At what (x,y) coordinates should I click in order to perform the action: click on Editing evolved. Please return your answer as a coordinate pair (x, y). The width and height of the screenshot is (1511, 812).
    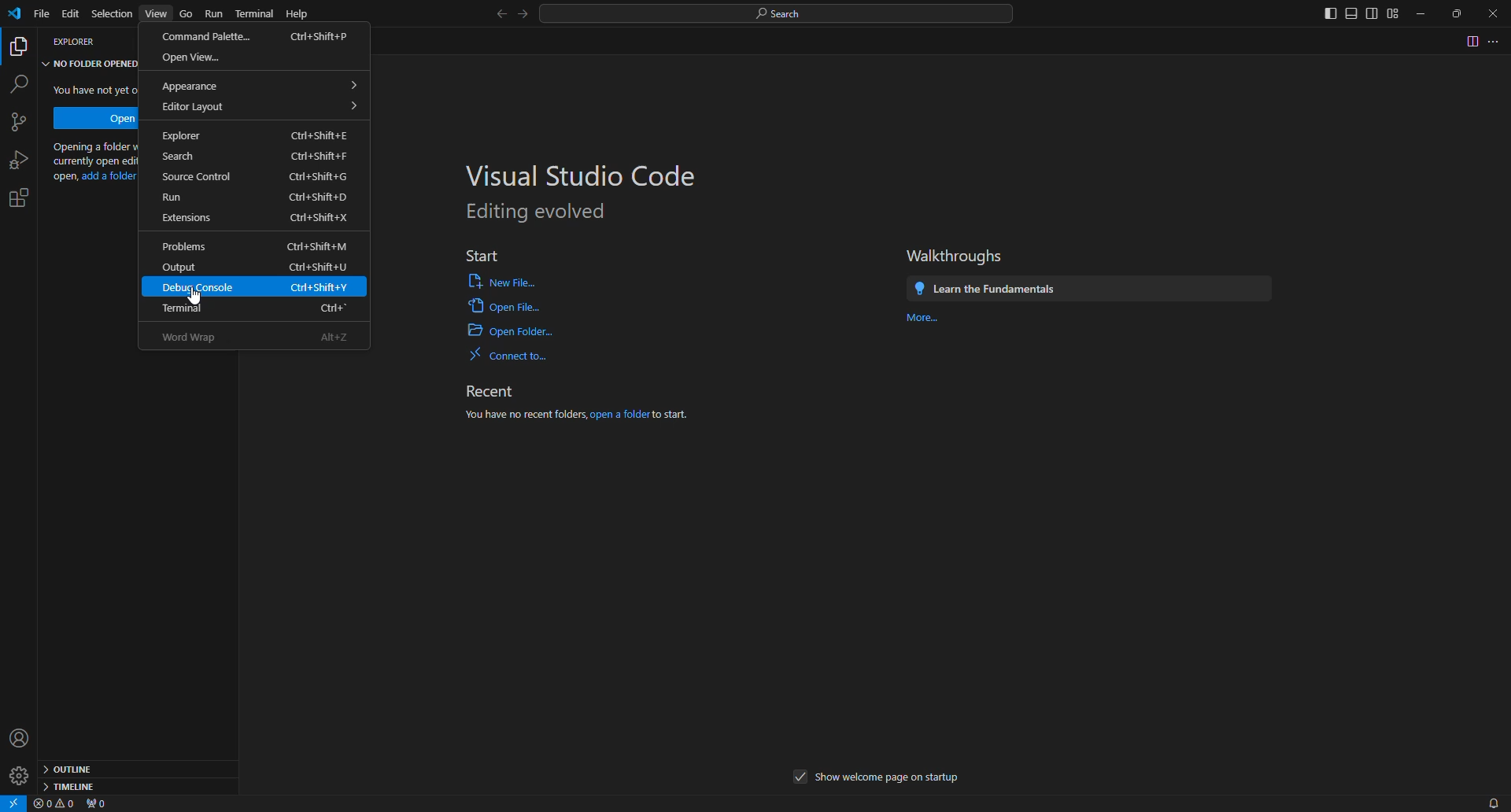
    Looking at the image, I should click on (537, 212).